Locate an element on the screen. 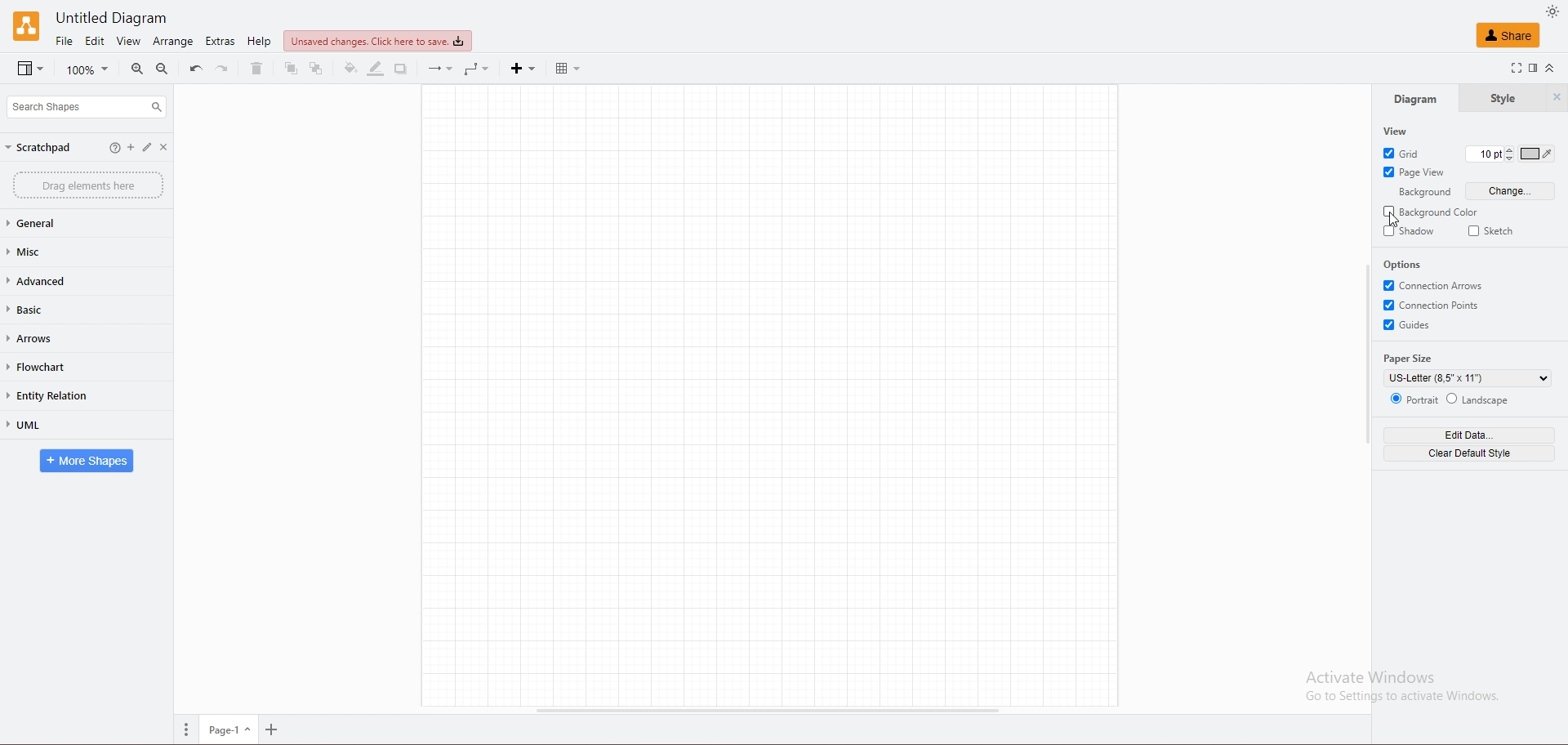 The image size is (1568, 745). drag elements here is located at coordinates (88, 185).